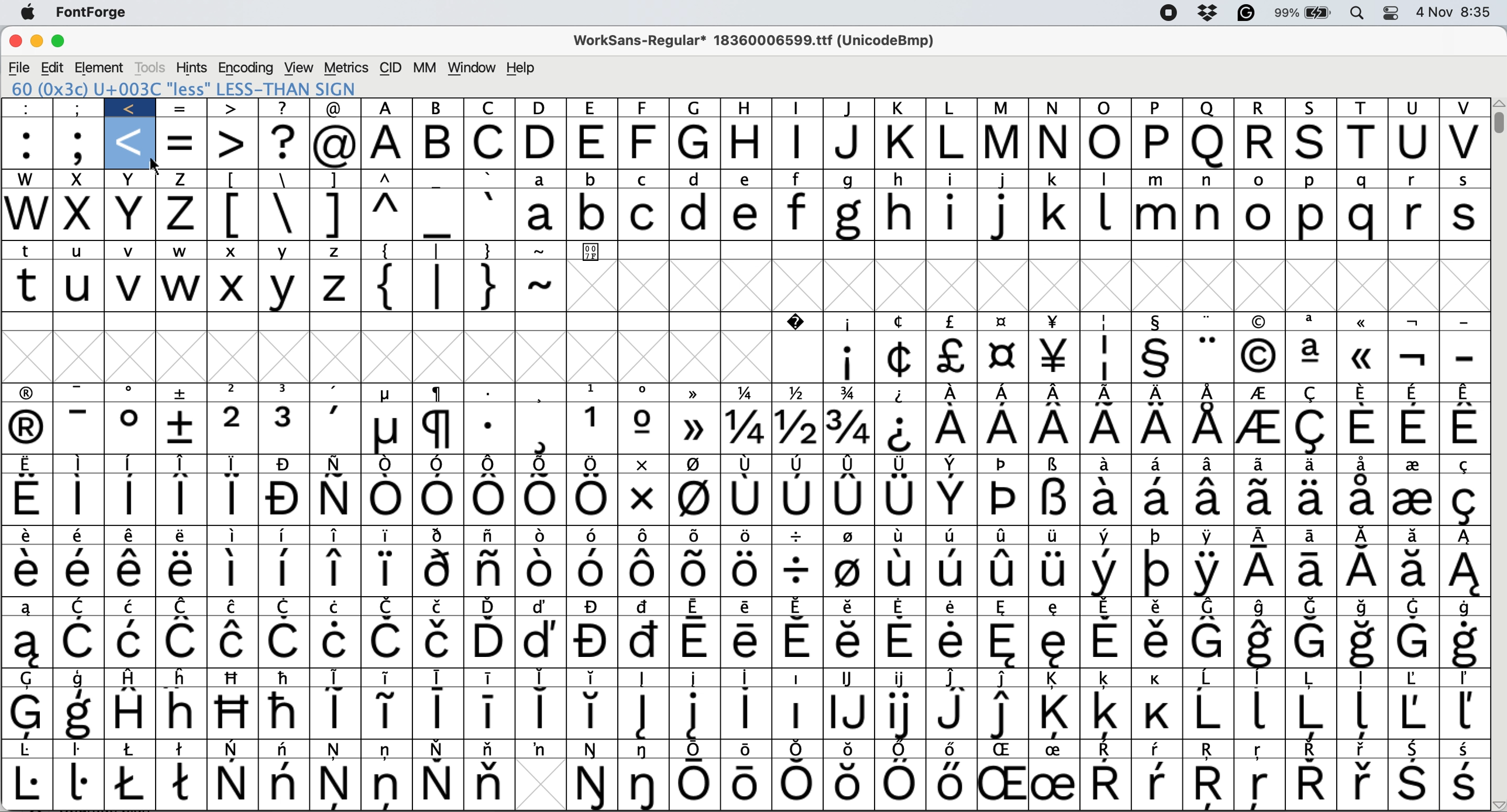  What do you see at coordinates (696, 108) in the screenshot?
I see `g` at bounding box center [696, 108].